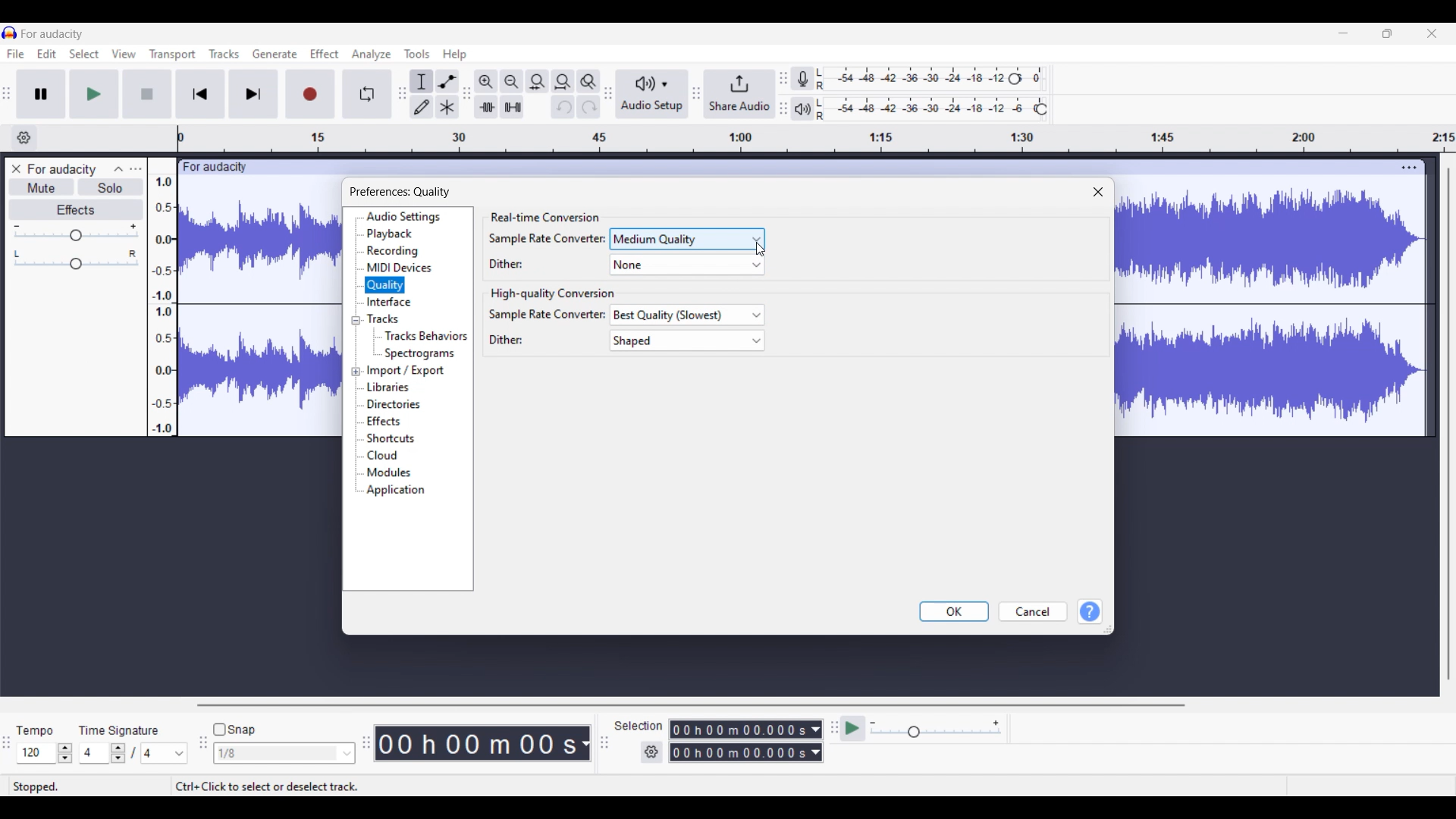 The height and width of the screenshot is (819, 1456). I want to click on Collapse, so click(118, 169).